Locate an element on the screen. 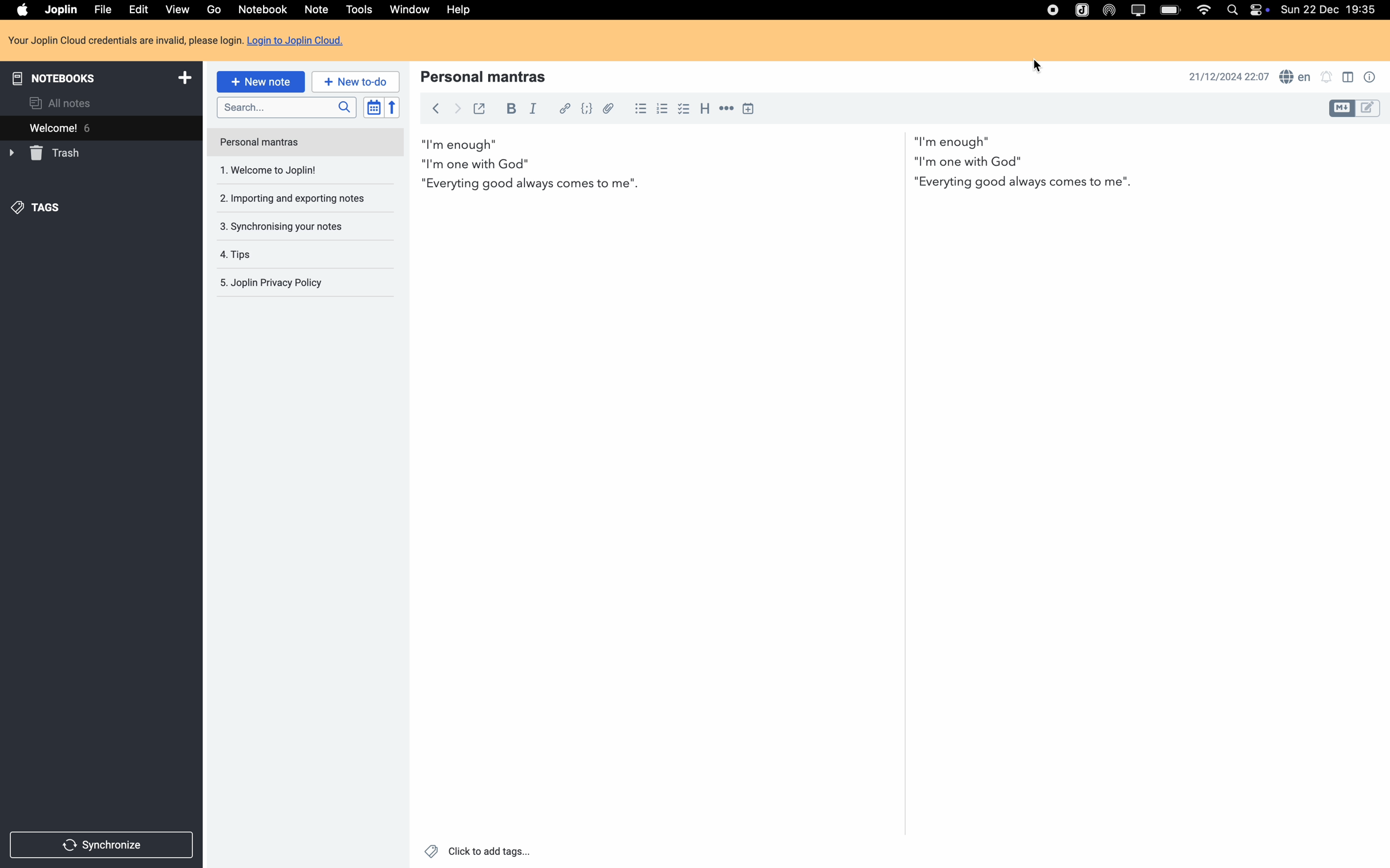 This screenshot has width=1390, height=868. note is located at coordinates (314, 10).